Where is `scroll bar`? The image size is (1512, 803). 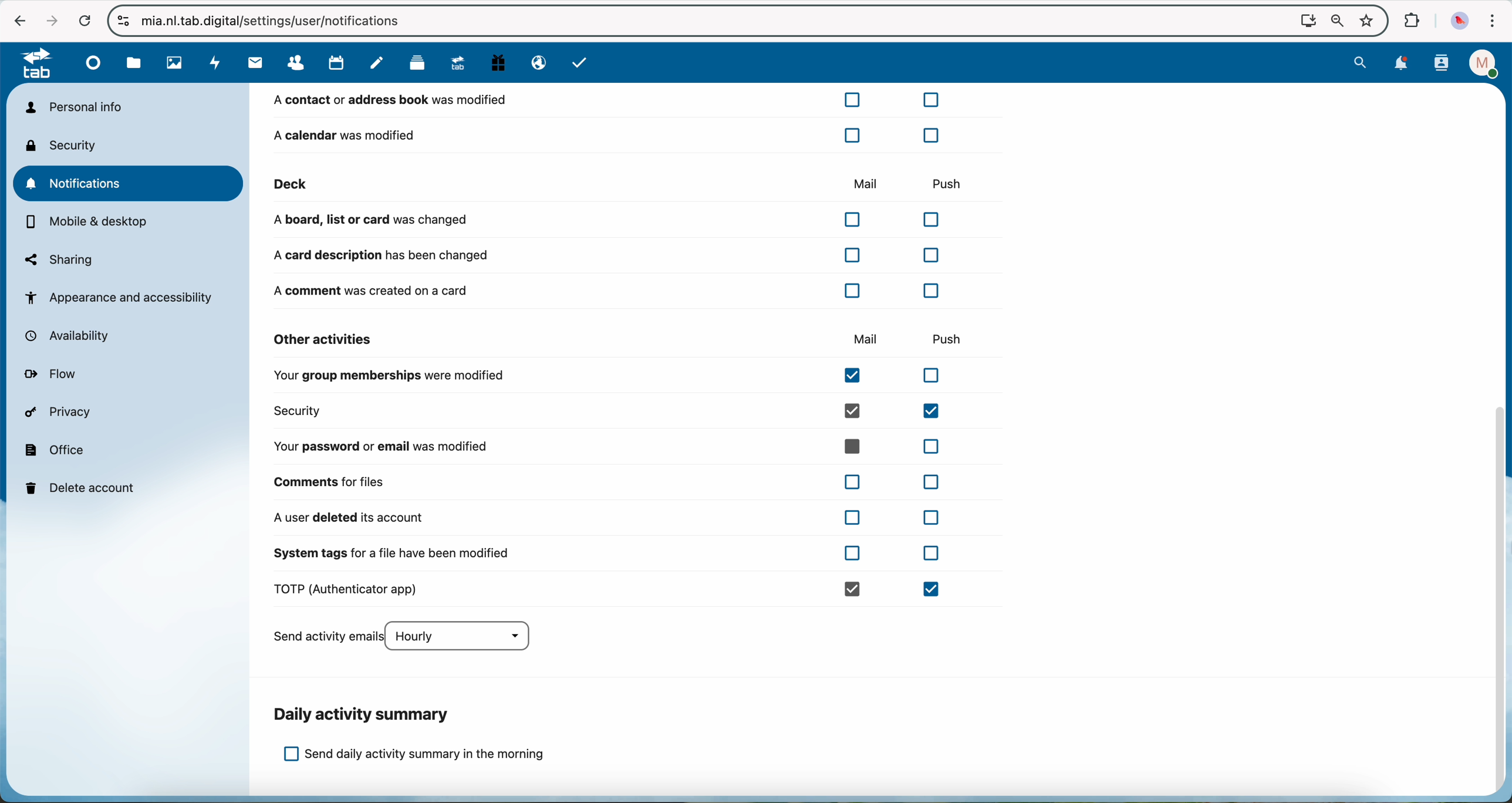
scroll bar is located at coordinates (1501, 602).